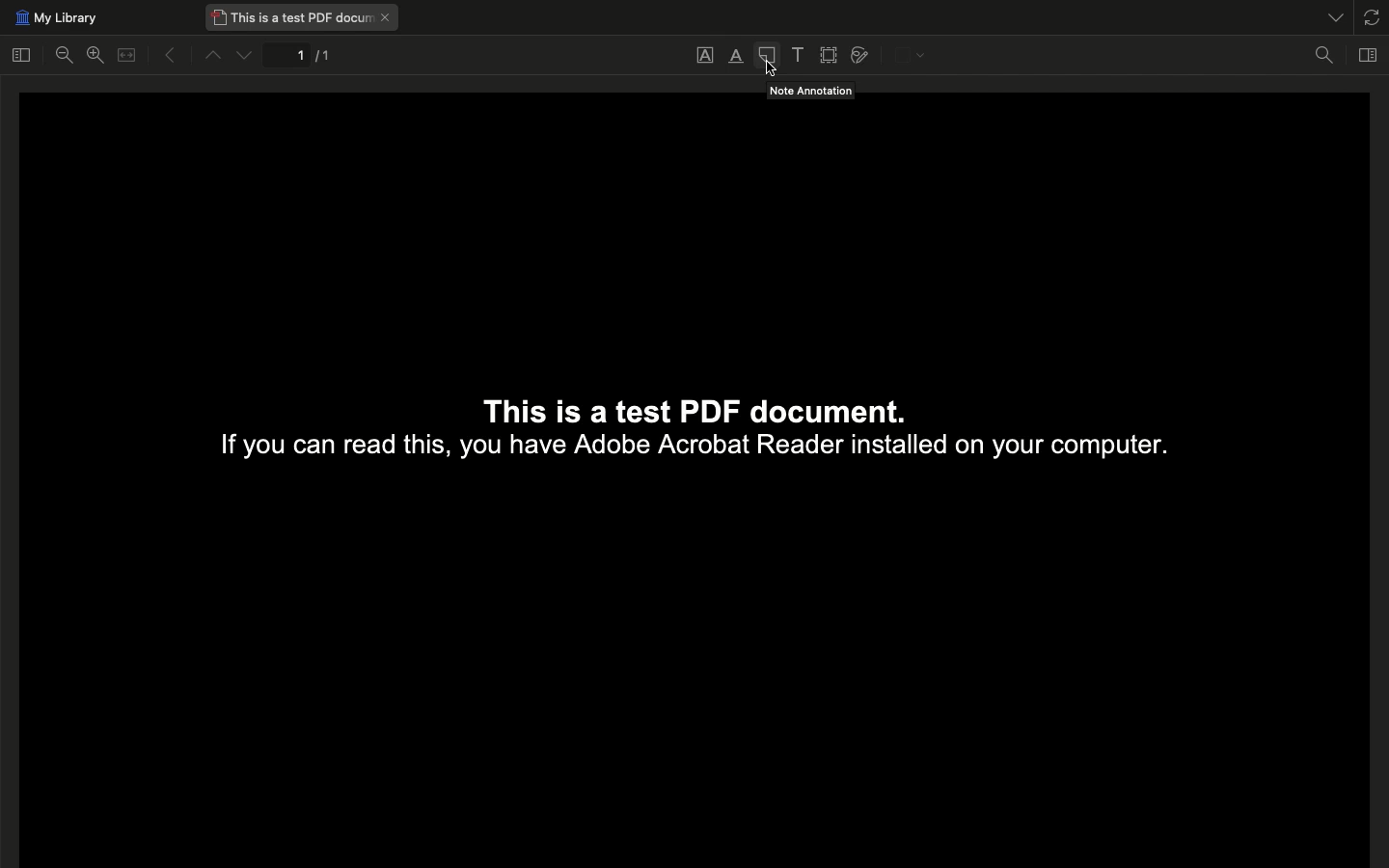  What do you see at coordinates (705, 54) in the screenshot?
I see `Underline text` at bounding box center [705, 54].